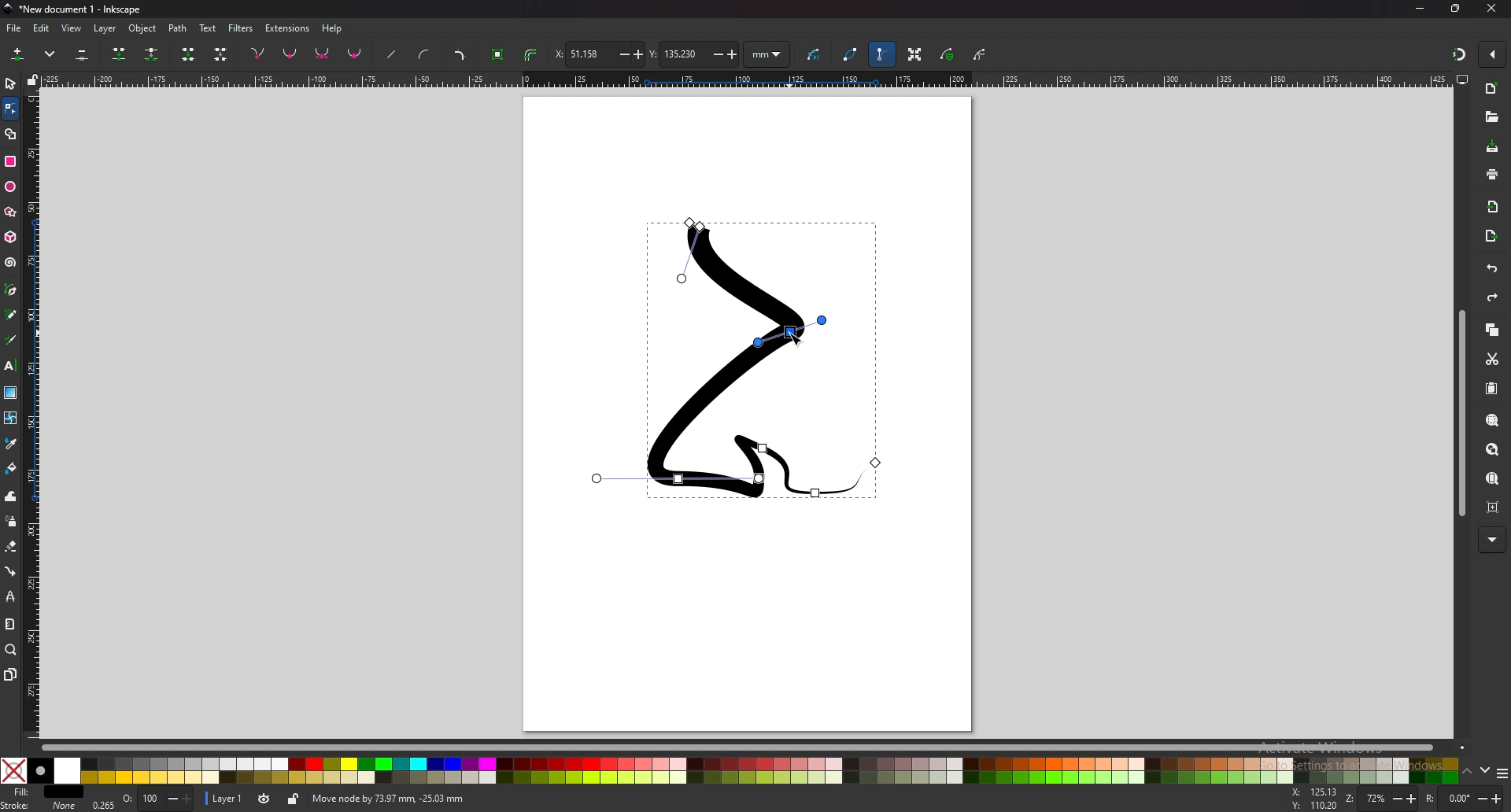 The width and height of the screenshot is (1511, 812). I want to click on spray, so click(12, 522).